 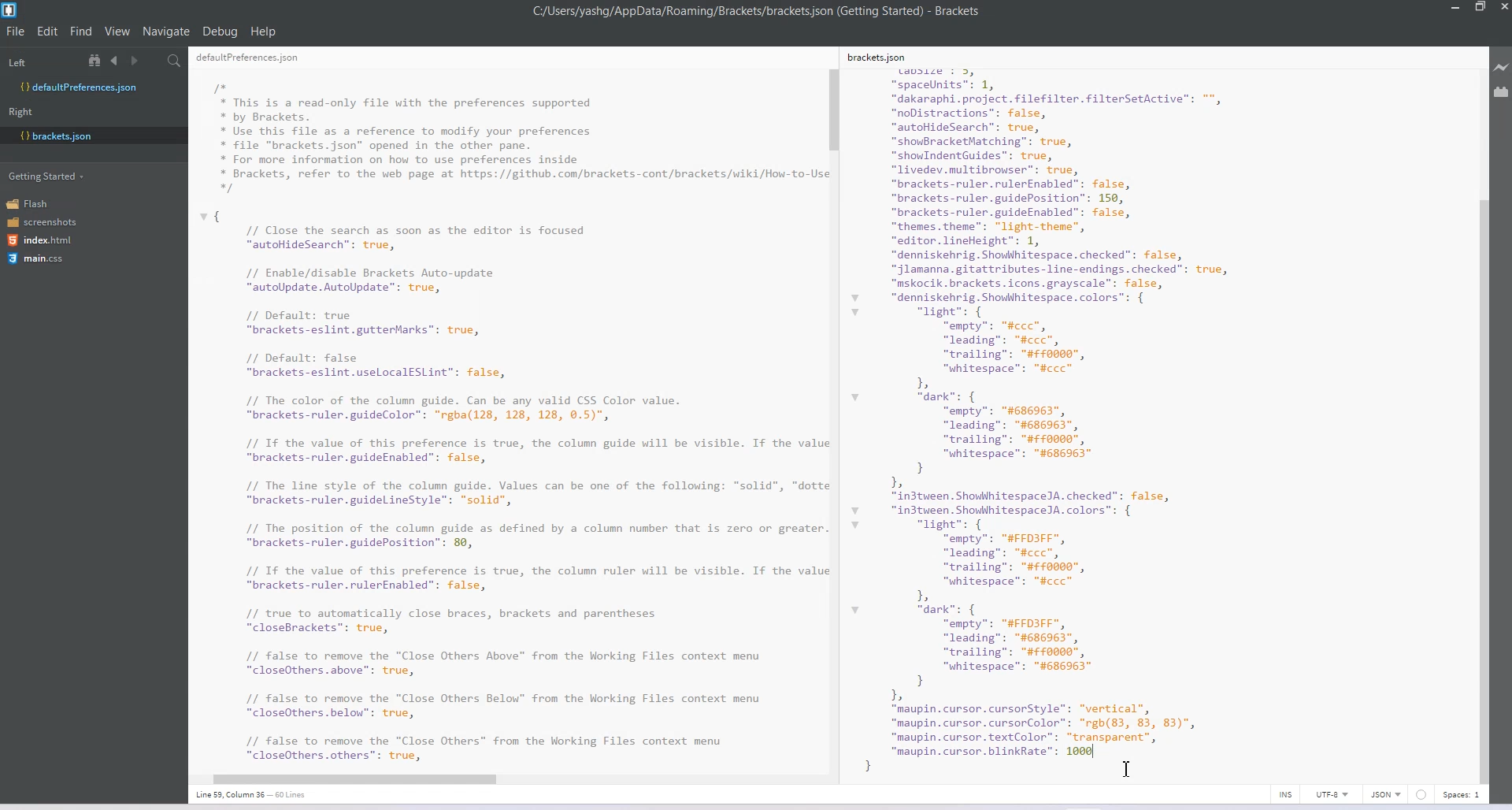 I want to click on File, so click(x=16, y=31).